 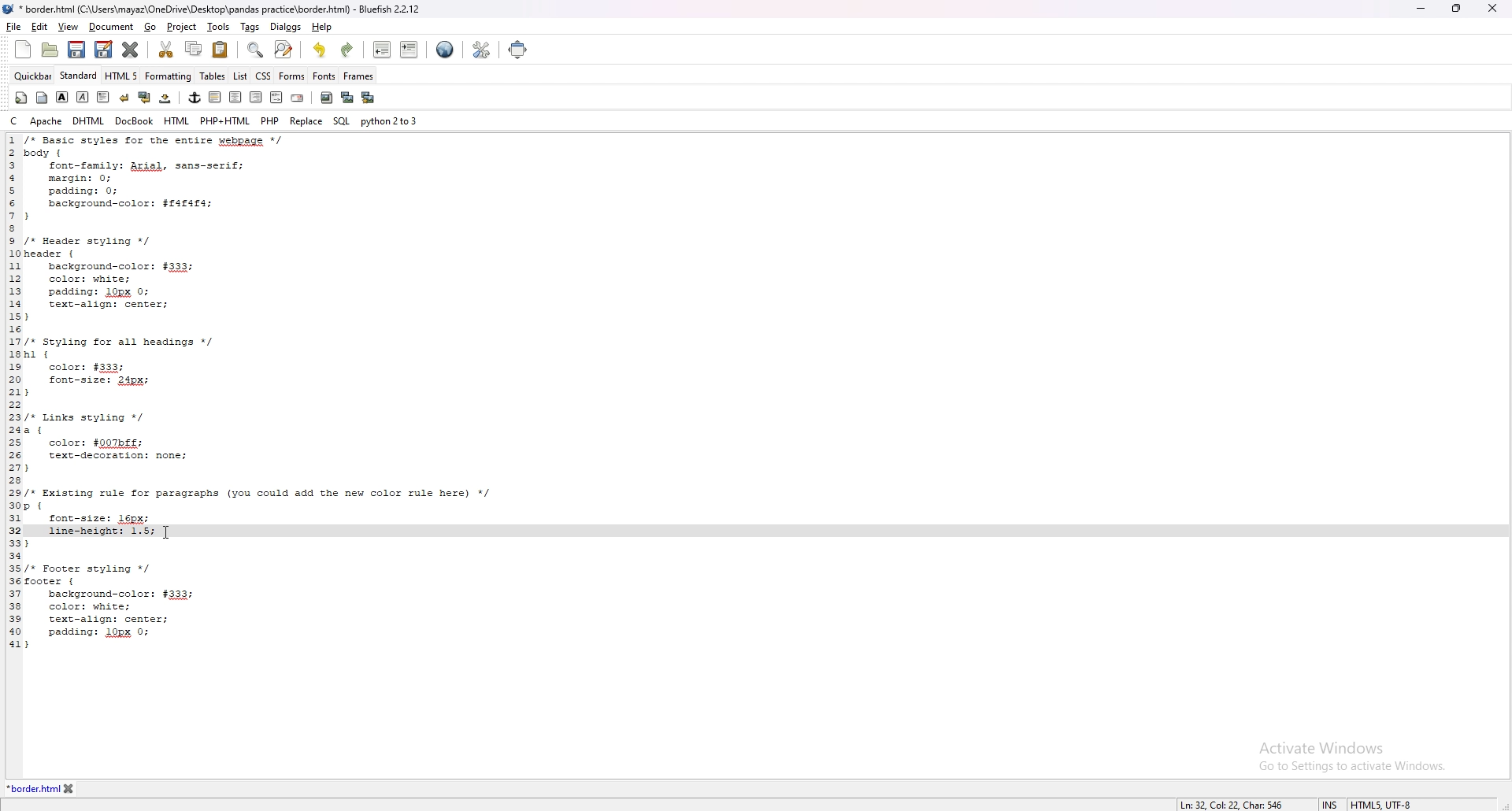 What do you see at coordinates (169, 76) in the screenshot?
I see `formatting` at bounding box center [169, 76].